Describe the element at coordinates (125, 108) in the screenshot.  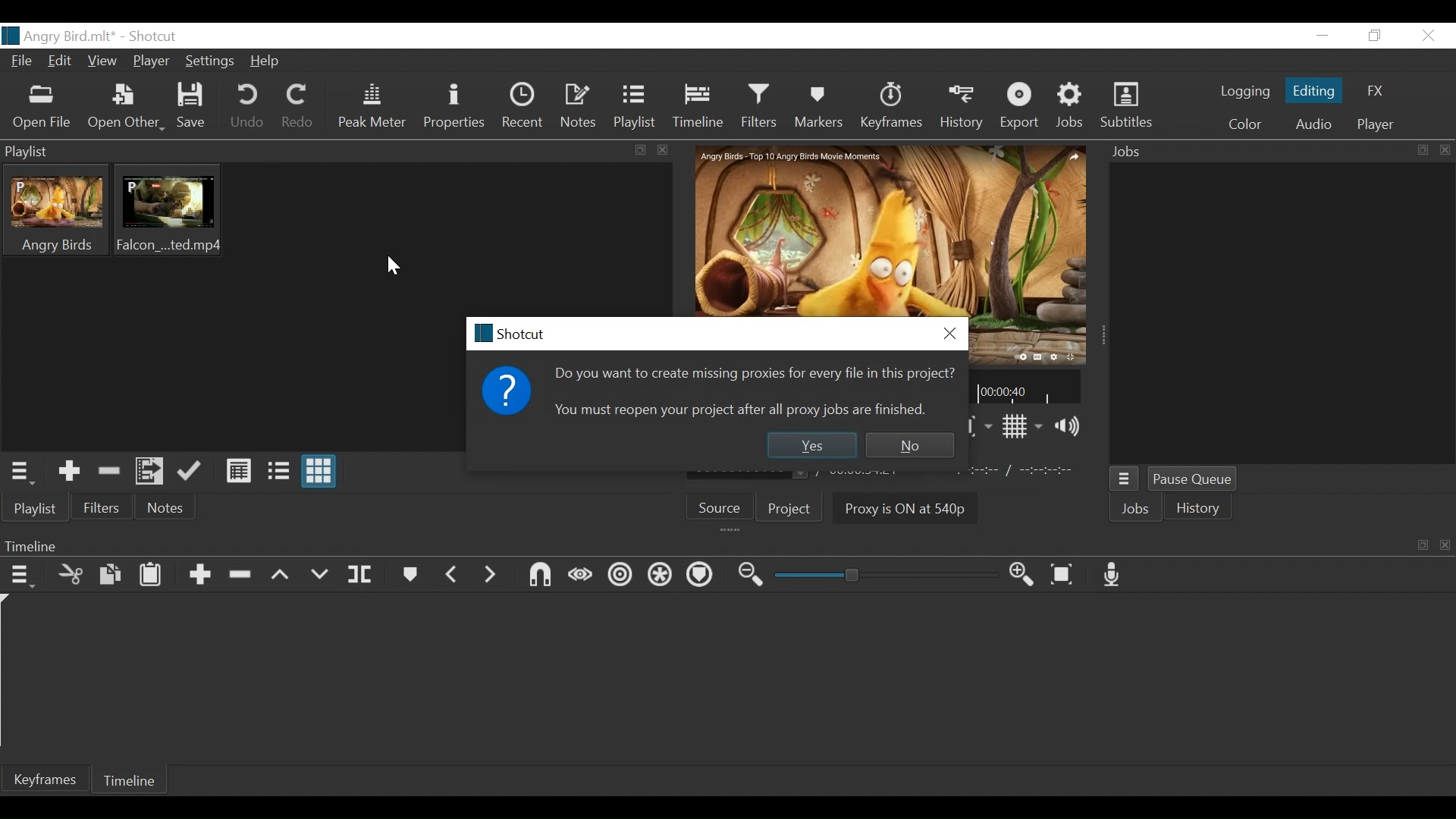
I see `Open Other` at that location.